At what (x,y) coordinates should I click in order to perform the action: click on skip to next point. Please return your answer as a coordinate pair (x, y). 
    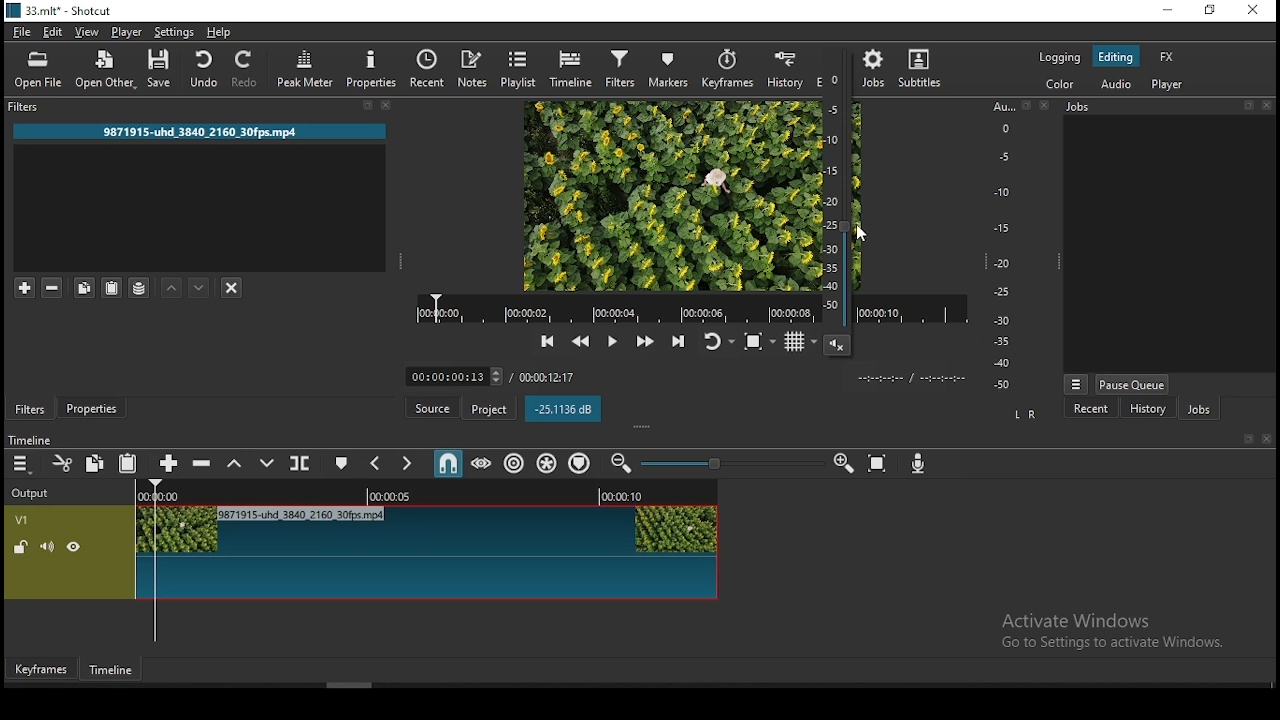
    Looking at the image, I should click on (677, 340).